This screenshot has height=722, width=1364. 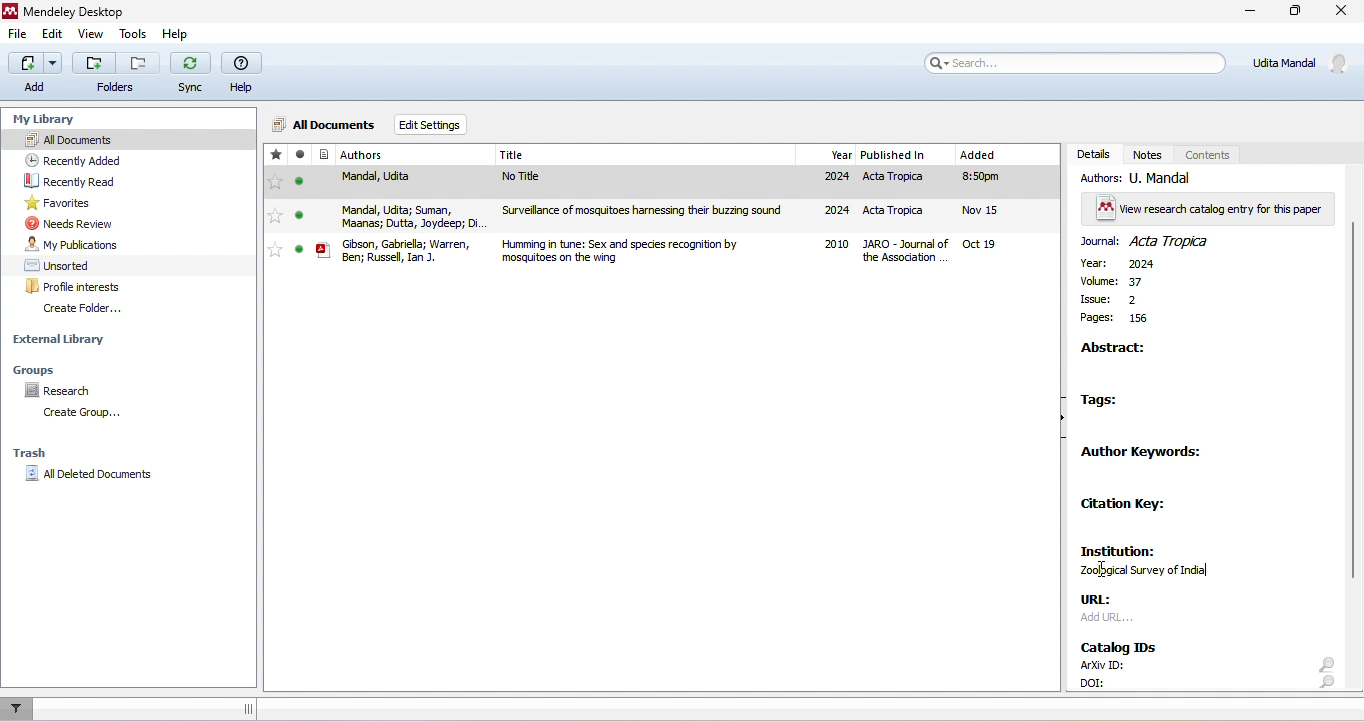 I want to click on zoological survey of india, so click(x=1154, y=573).